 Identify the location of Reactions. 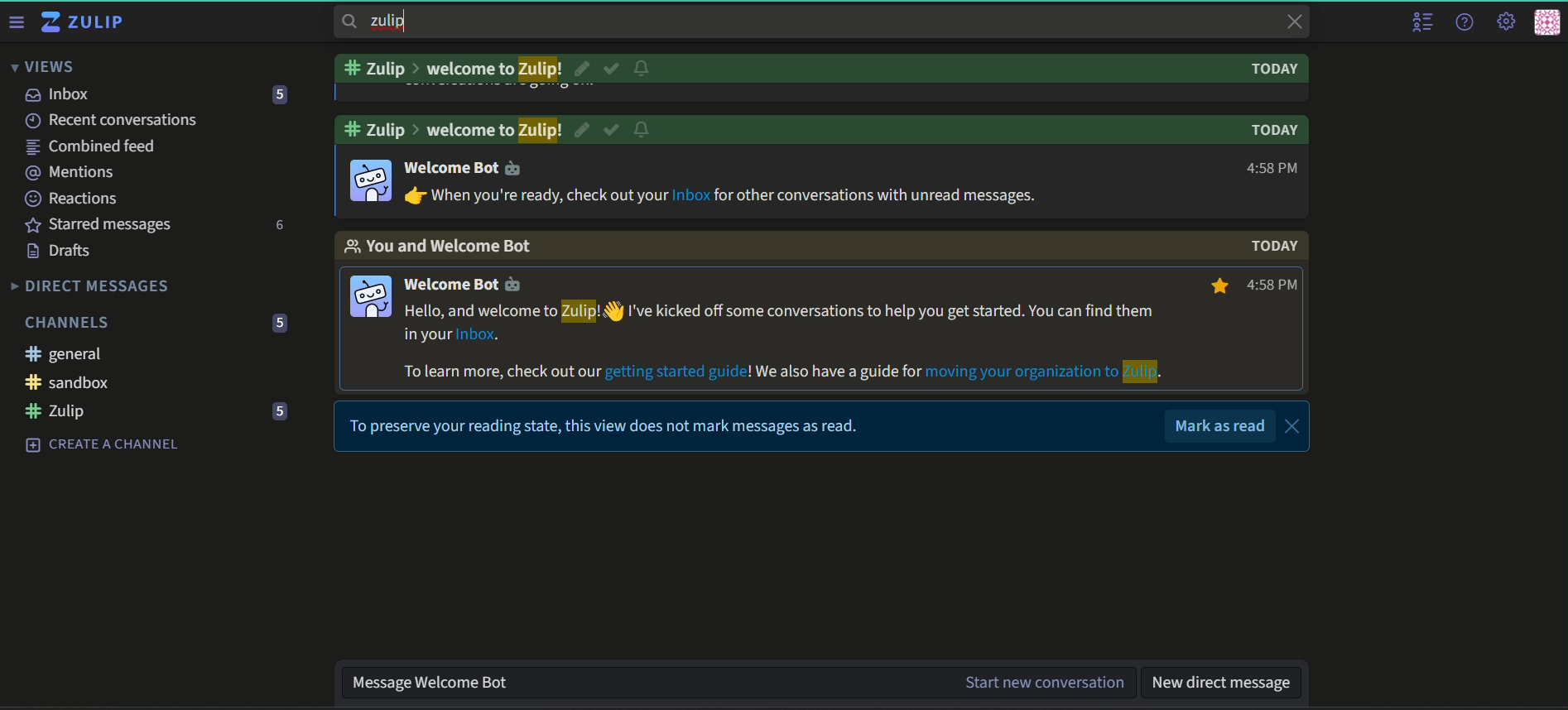
(74, 199).